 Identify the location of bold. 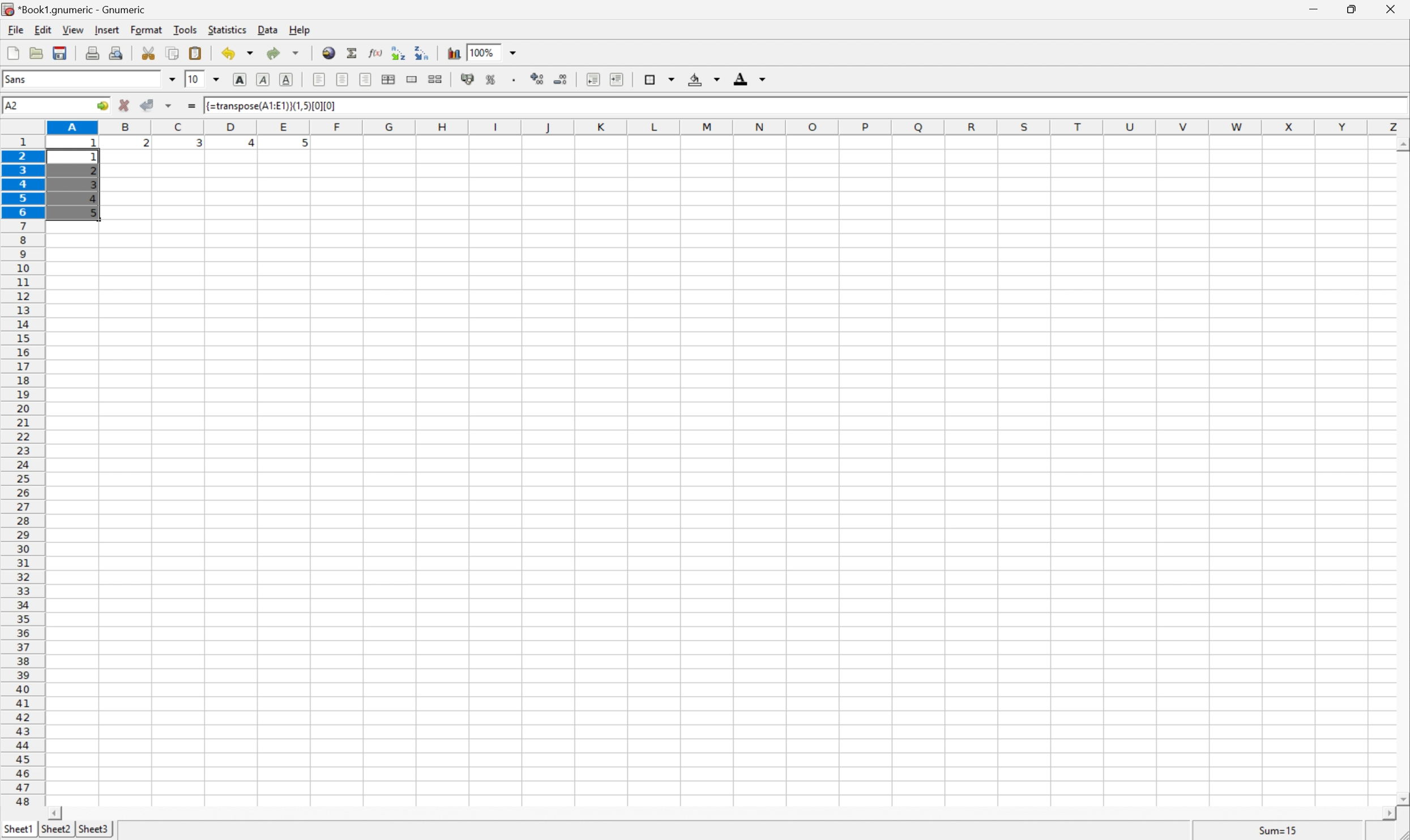
(242, 79).